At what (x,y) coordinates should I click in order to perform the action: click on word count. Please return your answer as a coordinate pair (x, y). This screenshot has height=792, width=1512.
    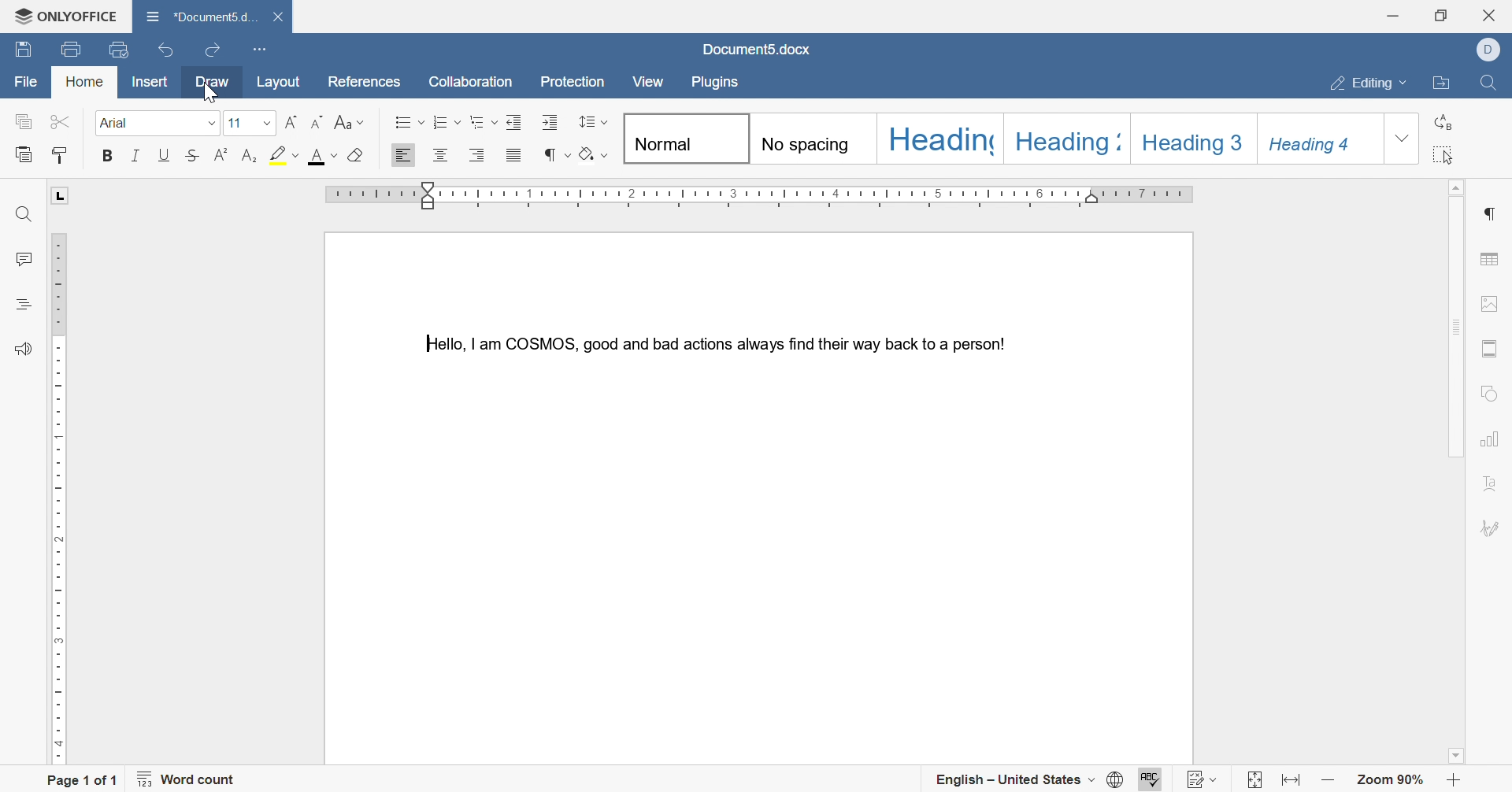
    Looking at the image, I should click on (192, 782).